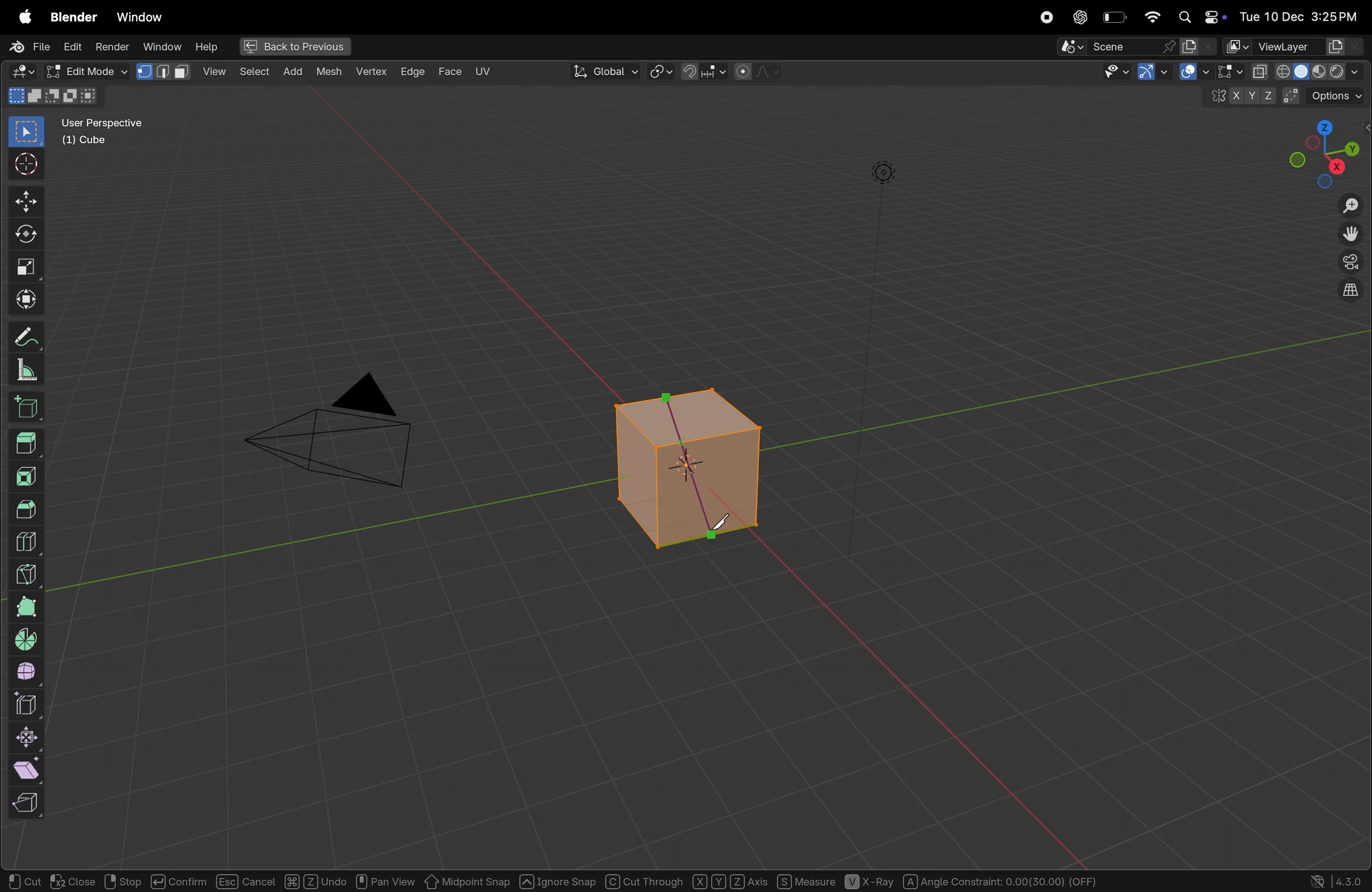  What do you see at coordinates (1137, 47) in the screenshot?
I see `Scene` at bounding box center [1137, 47].